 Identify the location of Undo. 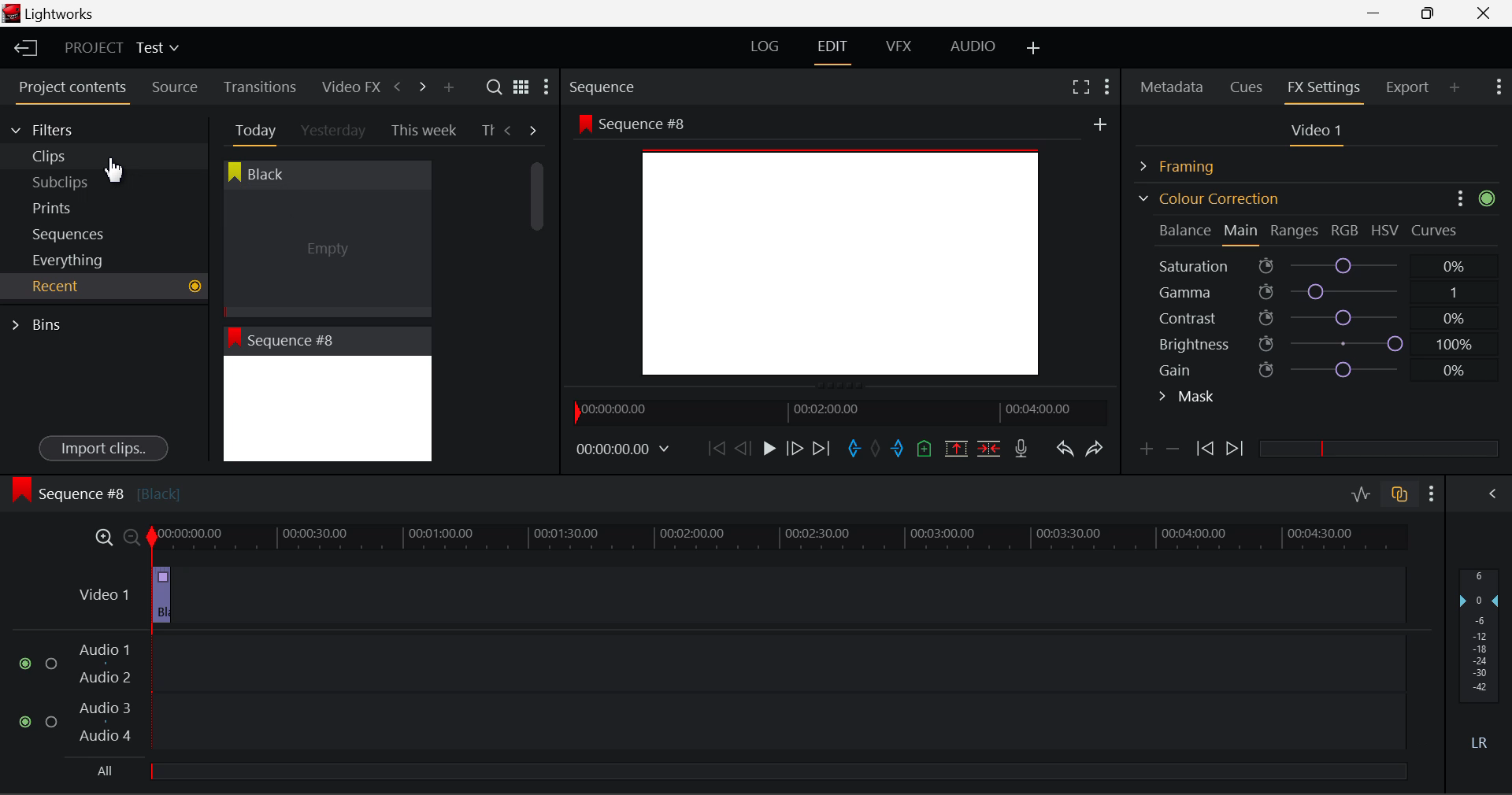
(1064, 452).